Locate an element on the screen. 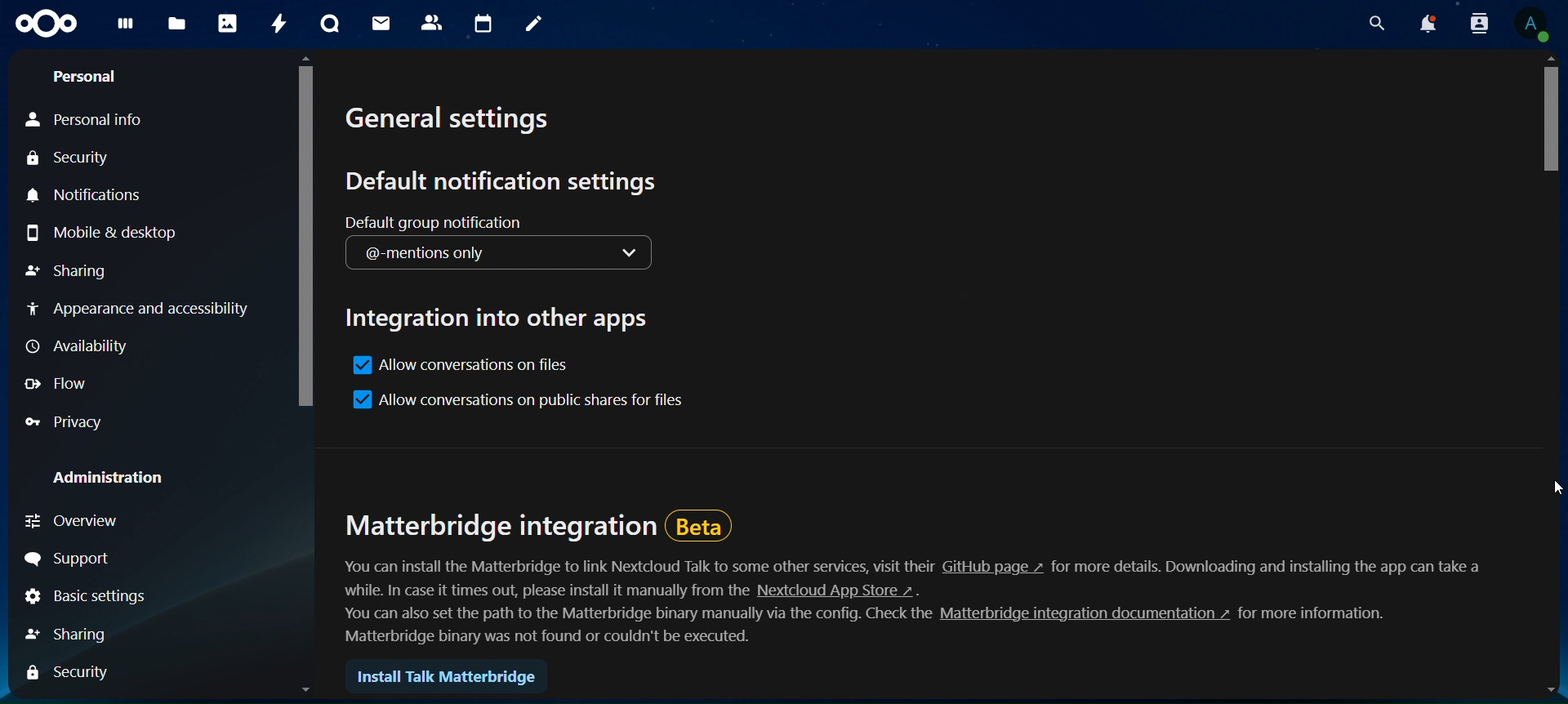 This screenshot has height=704, width=1568. icon is located at coordinates (48, 24).